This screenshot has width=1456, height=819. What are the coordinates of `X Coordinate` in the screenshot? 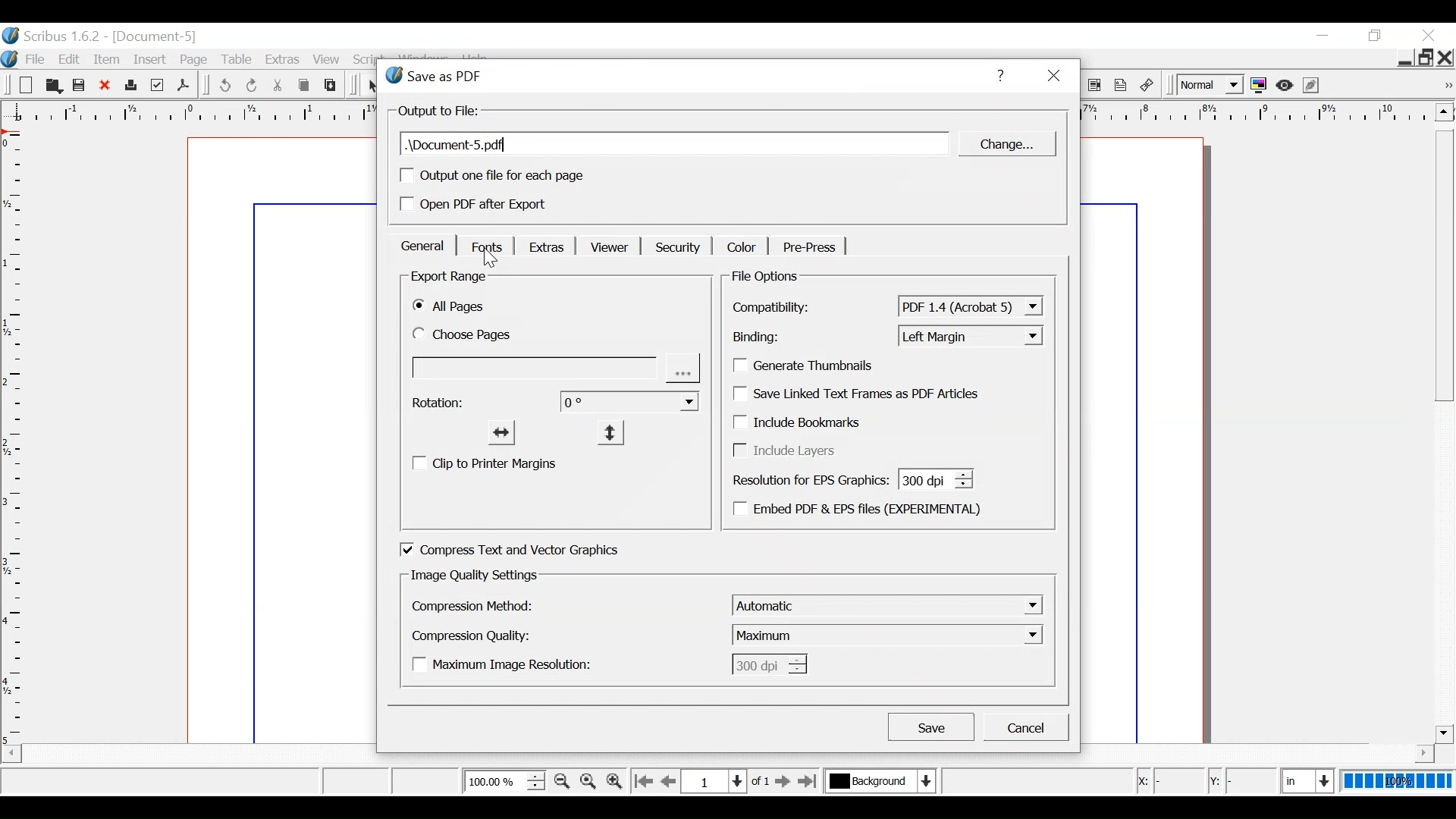 It's located at (1168, 781).